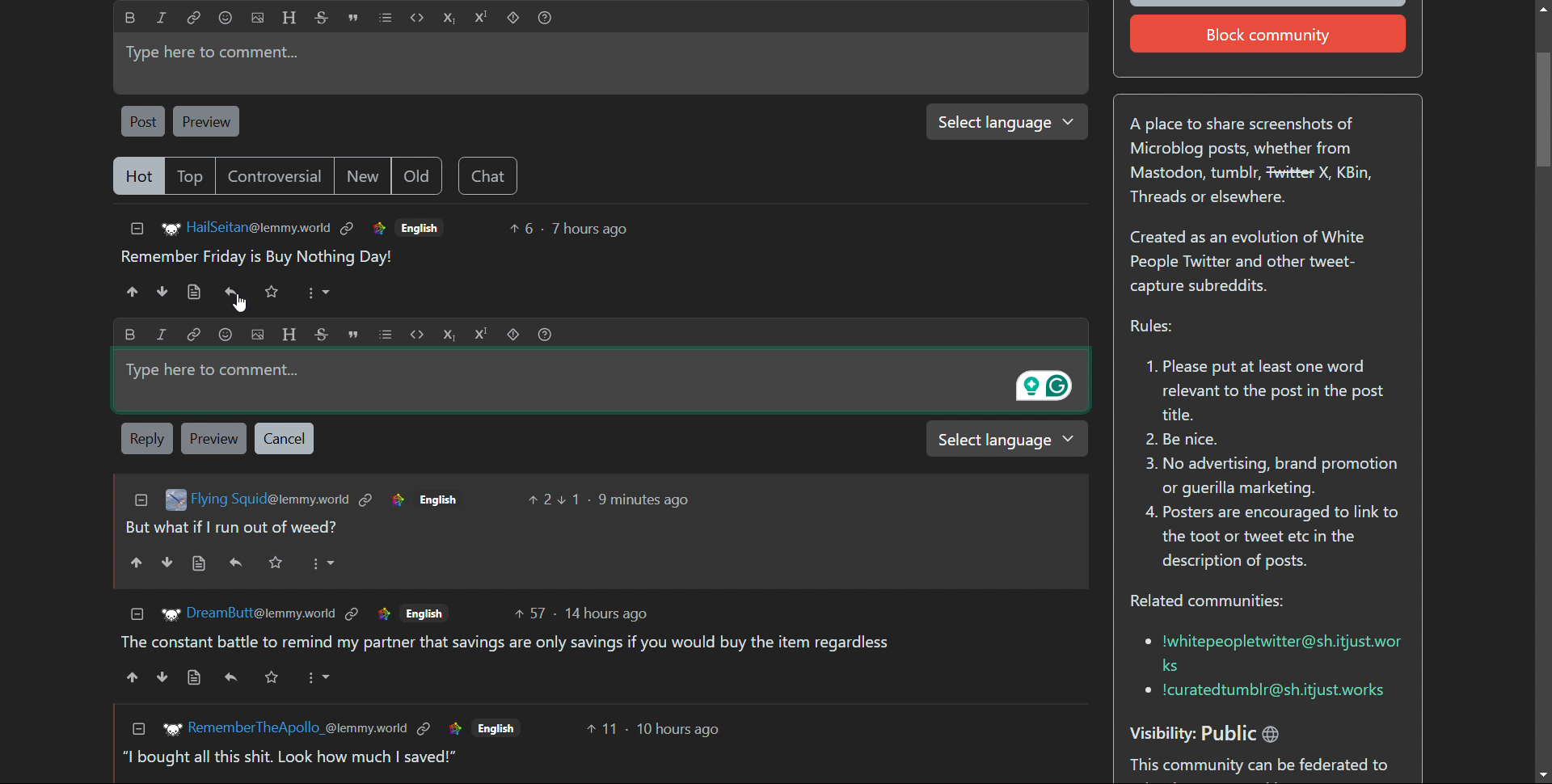 The height and width of the screenshot is (784, 1552). I want to click on language, so click(437, 499).